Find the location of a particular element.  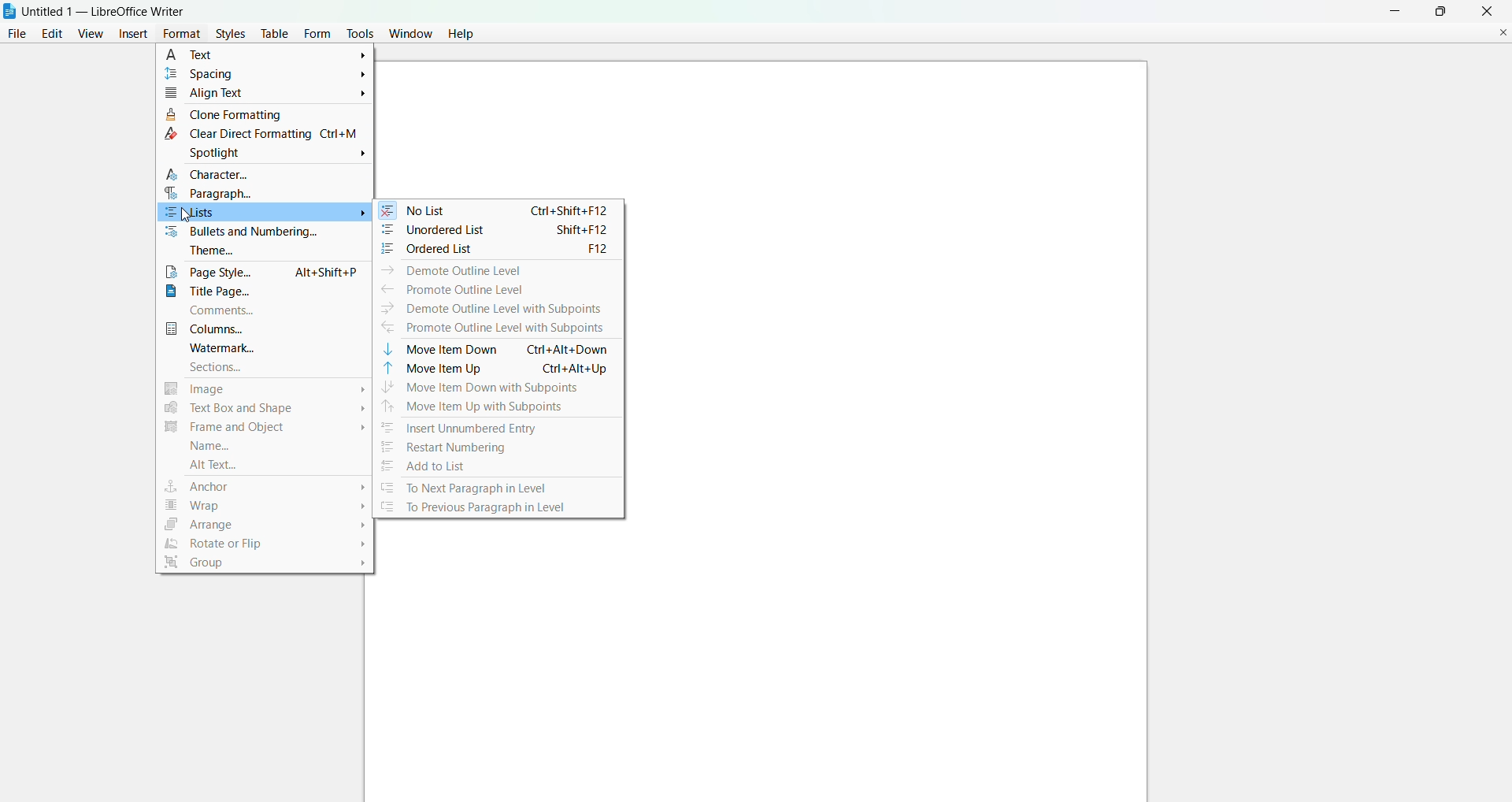

move item up with subpoints is located at coordinates (473, 407).